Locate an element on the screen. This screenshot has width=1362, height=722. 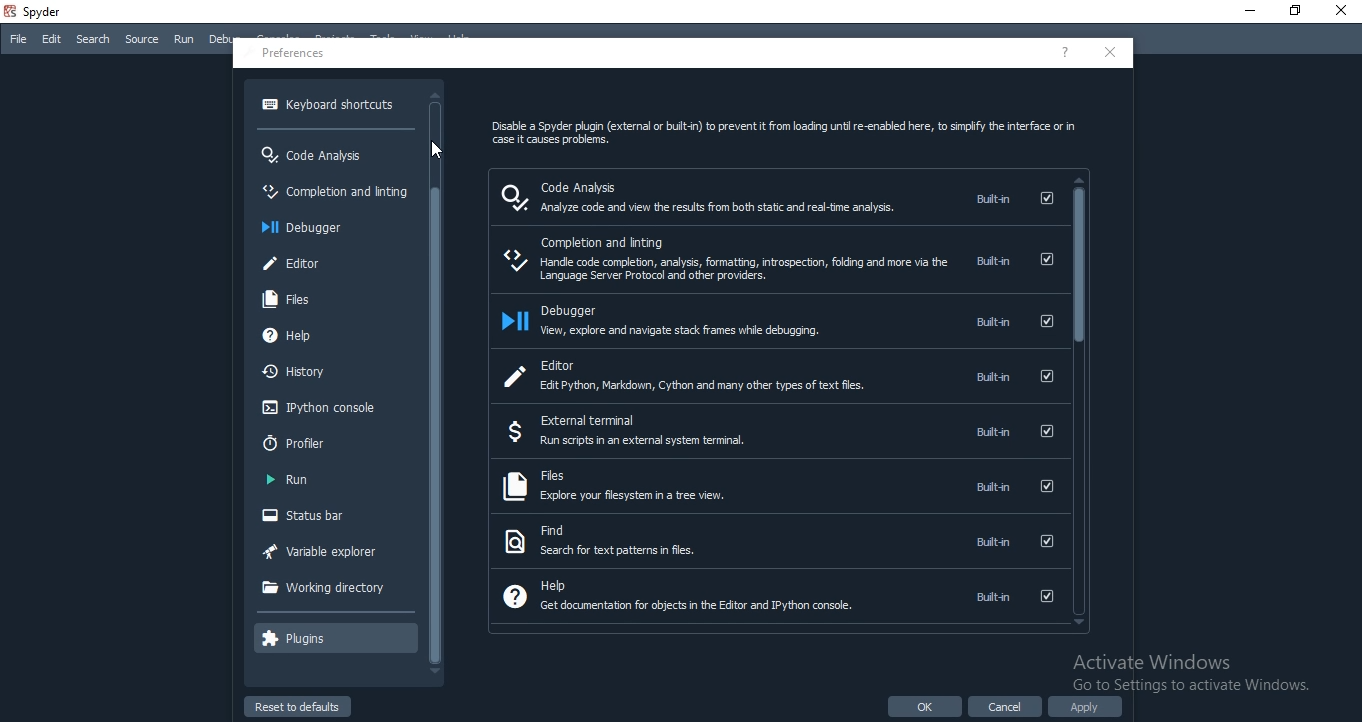
text is located at coordinates (992, 321).